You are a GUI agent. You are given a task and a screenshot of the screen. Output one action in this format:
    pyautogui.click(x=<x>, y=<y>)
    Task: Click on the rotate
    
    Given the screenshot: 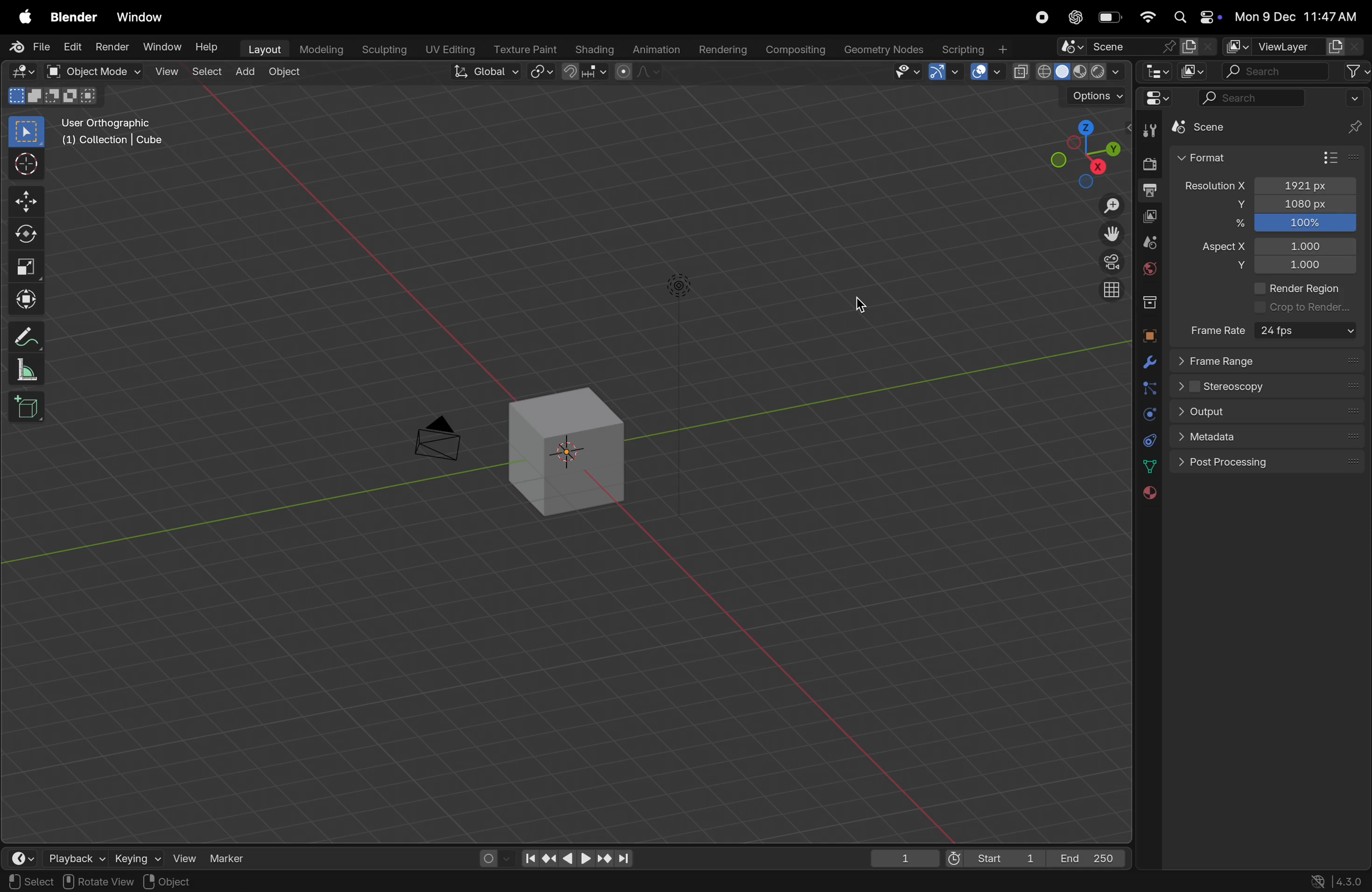 What is the action you would take?
    pyautogui.click(x=22, y=233)
    